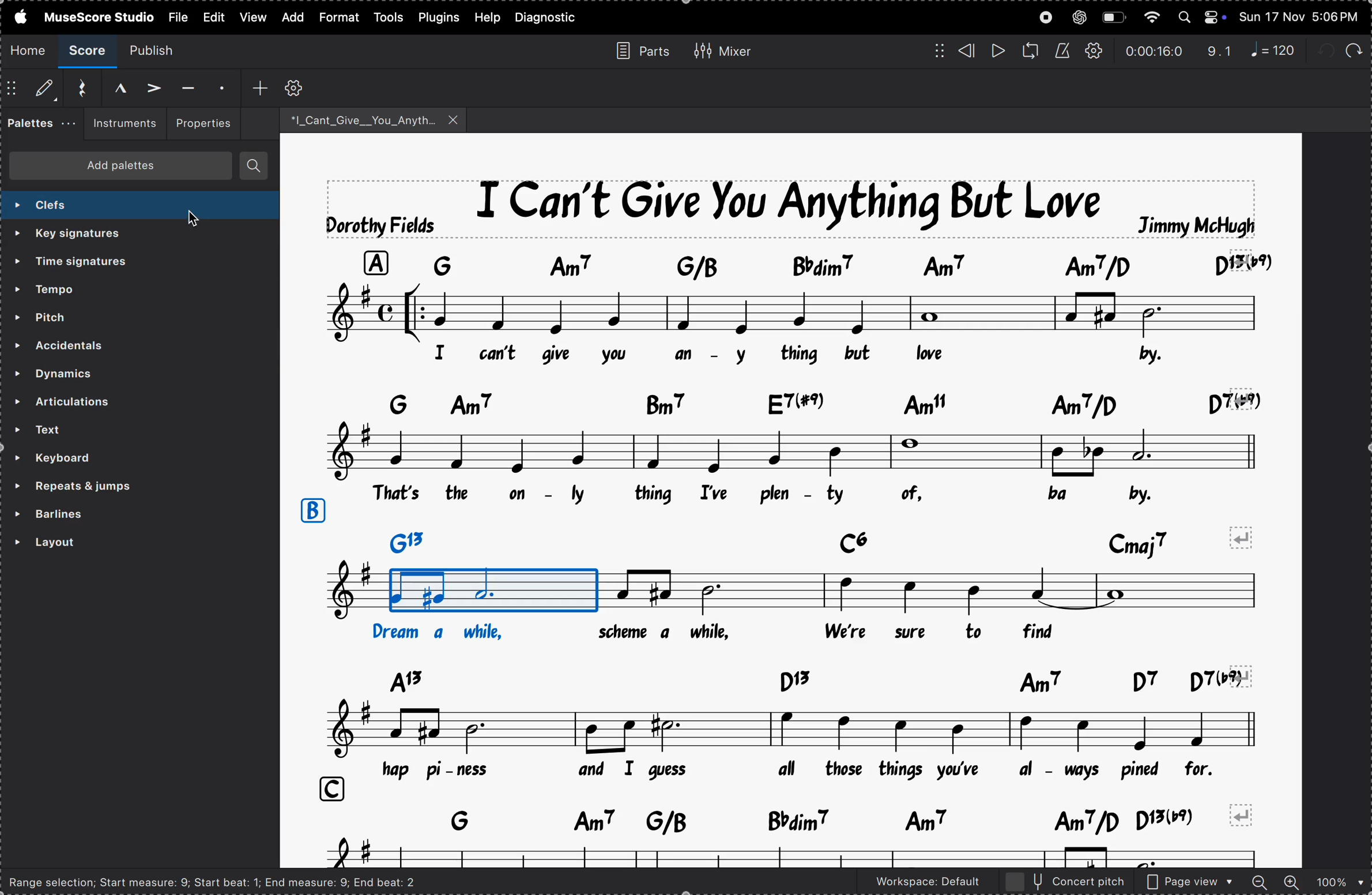  Describe the element at coordinates (95, 375) in the screenshot. I see `dynamics` at that location.